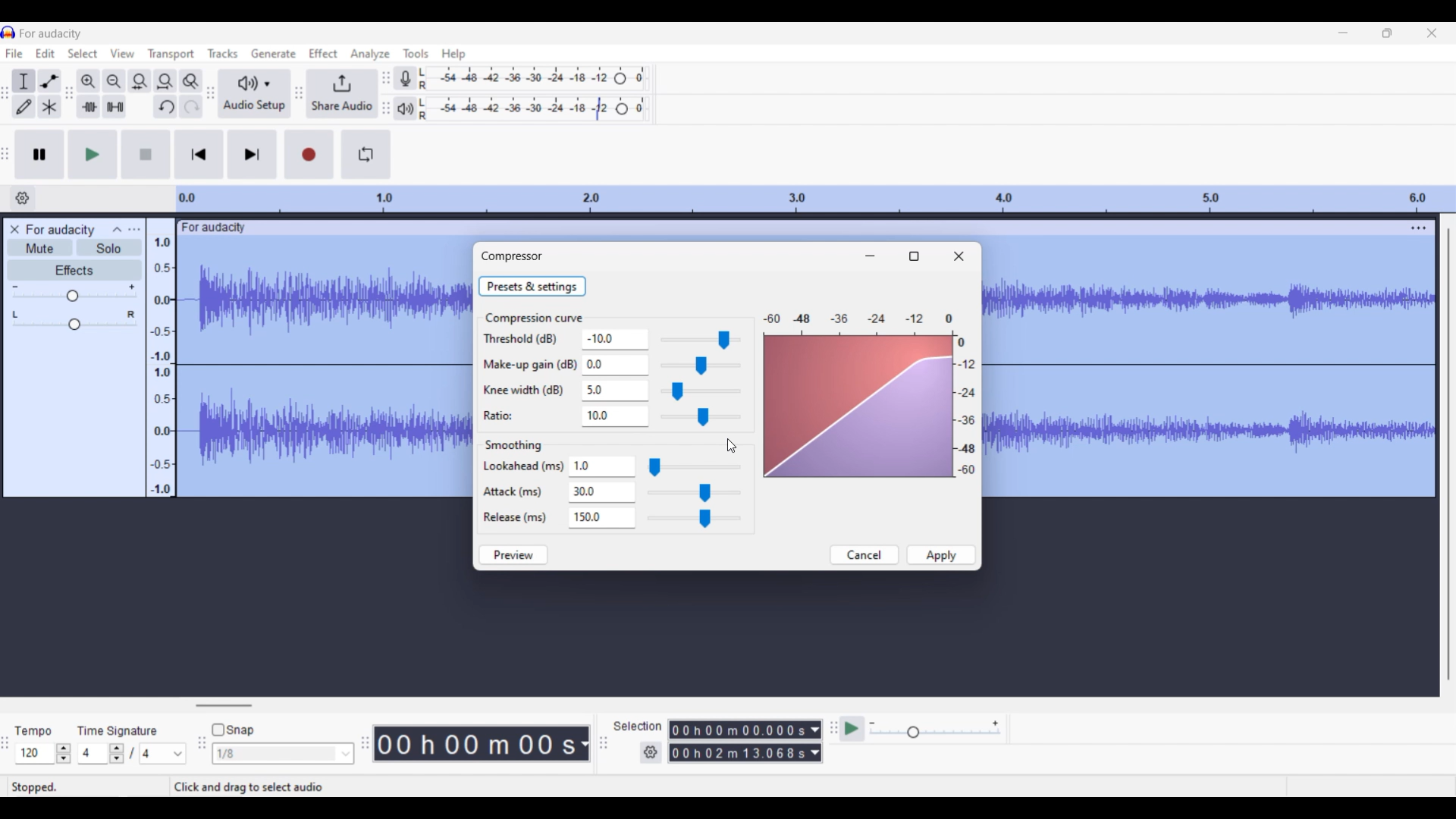 The height and width of the screenshot is (819, 1456). Describe the element at coordinates (613, 416) in the screenshot. I see `Text box for ratio` at that location.